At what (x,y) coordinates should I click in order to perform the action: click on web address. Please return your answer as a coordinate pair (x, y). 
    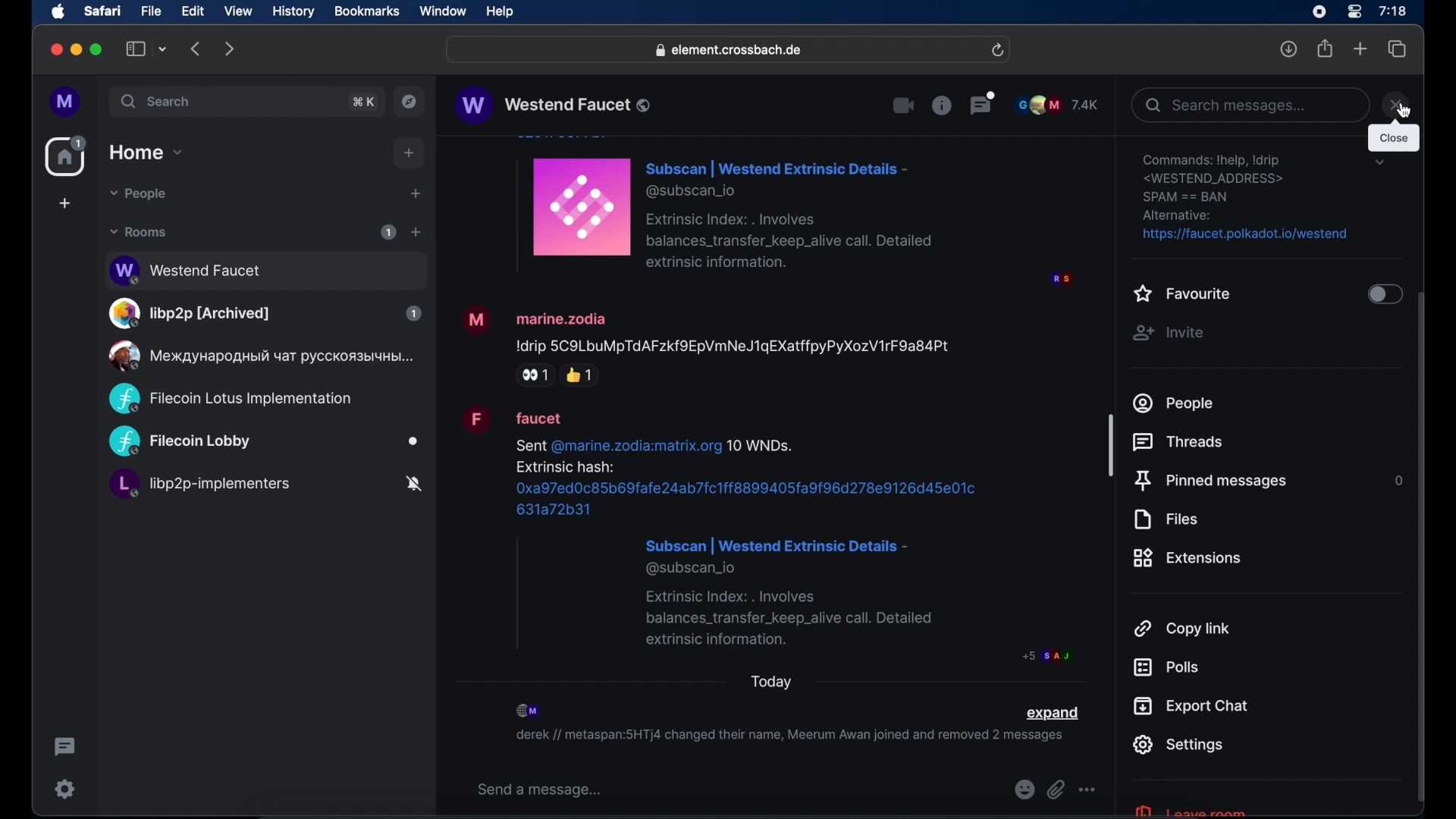
    Looking at the image, I should click on (730, 51).